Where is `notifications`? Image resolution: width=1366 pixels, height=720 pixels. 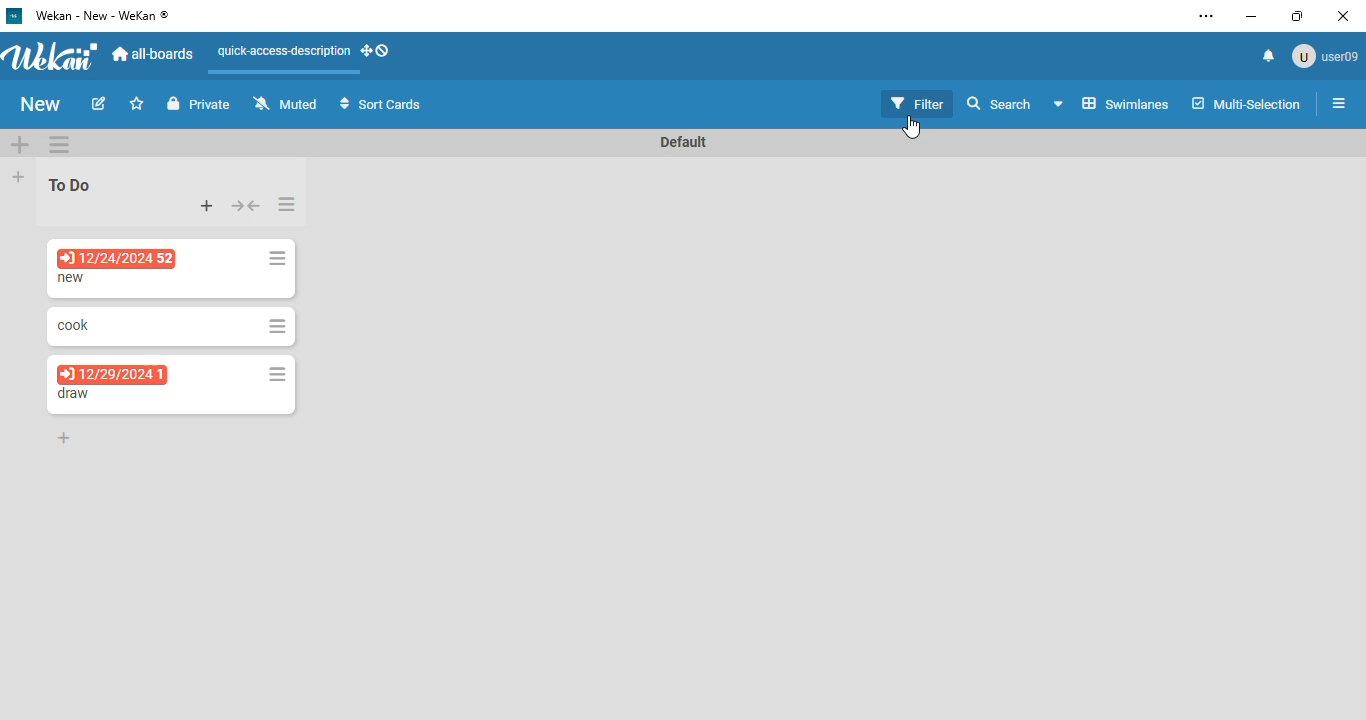 notifications is located at coordinates (1269, 56).